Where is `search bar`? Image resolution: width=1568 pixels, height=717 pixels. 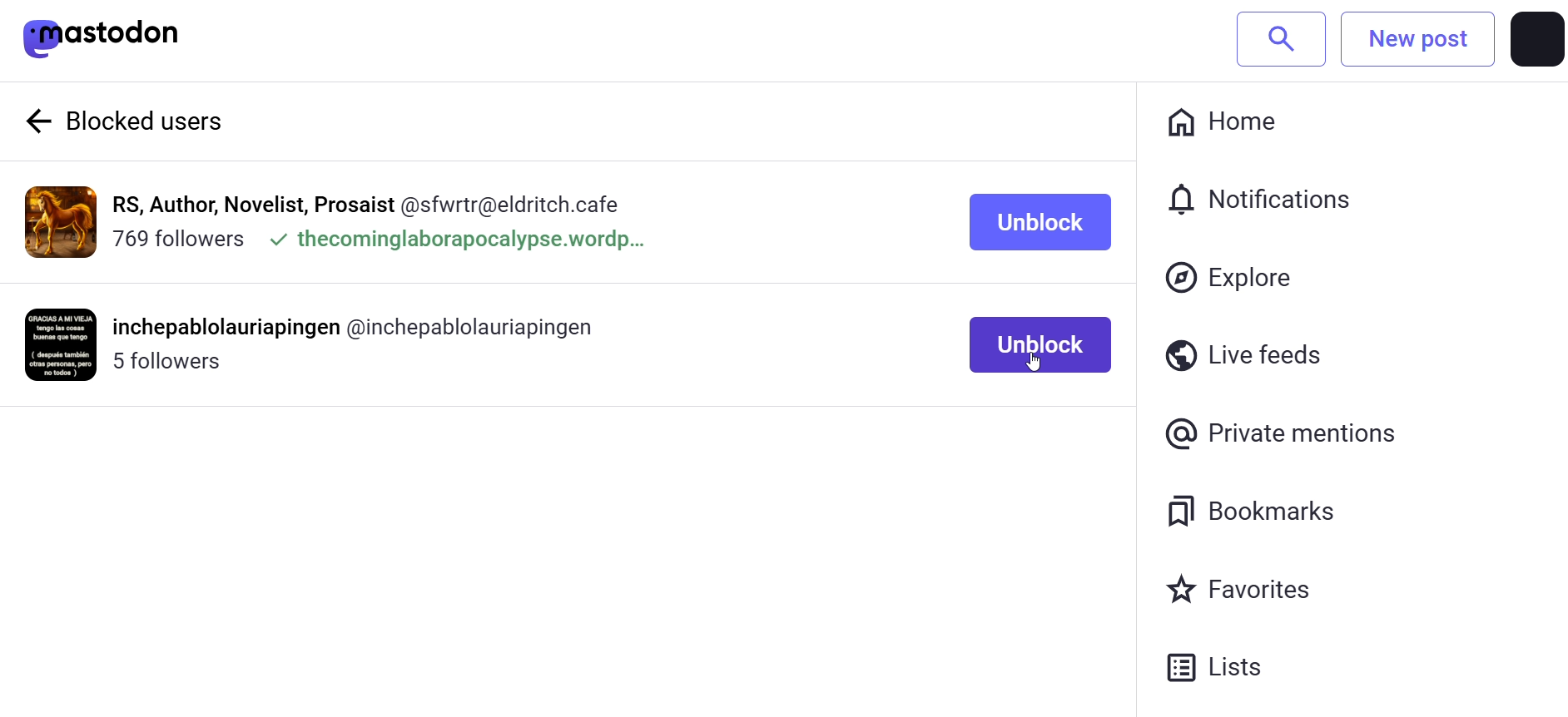
search bar is located at coordinates (1281, 37).